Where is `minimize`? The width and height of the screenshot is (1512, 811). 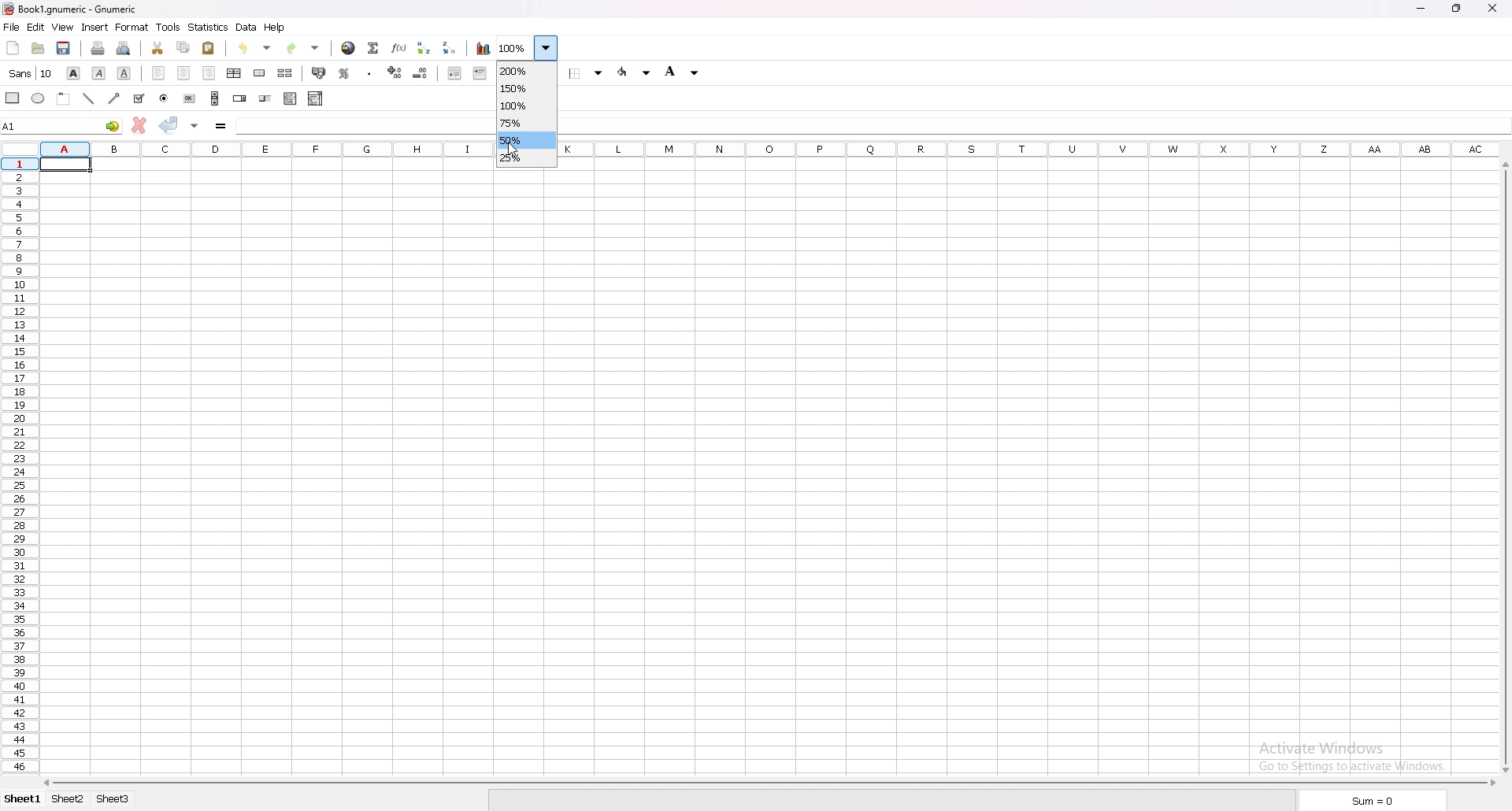
minimize is located at coordinates (1421, 9).